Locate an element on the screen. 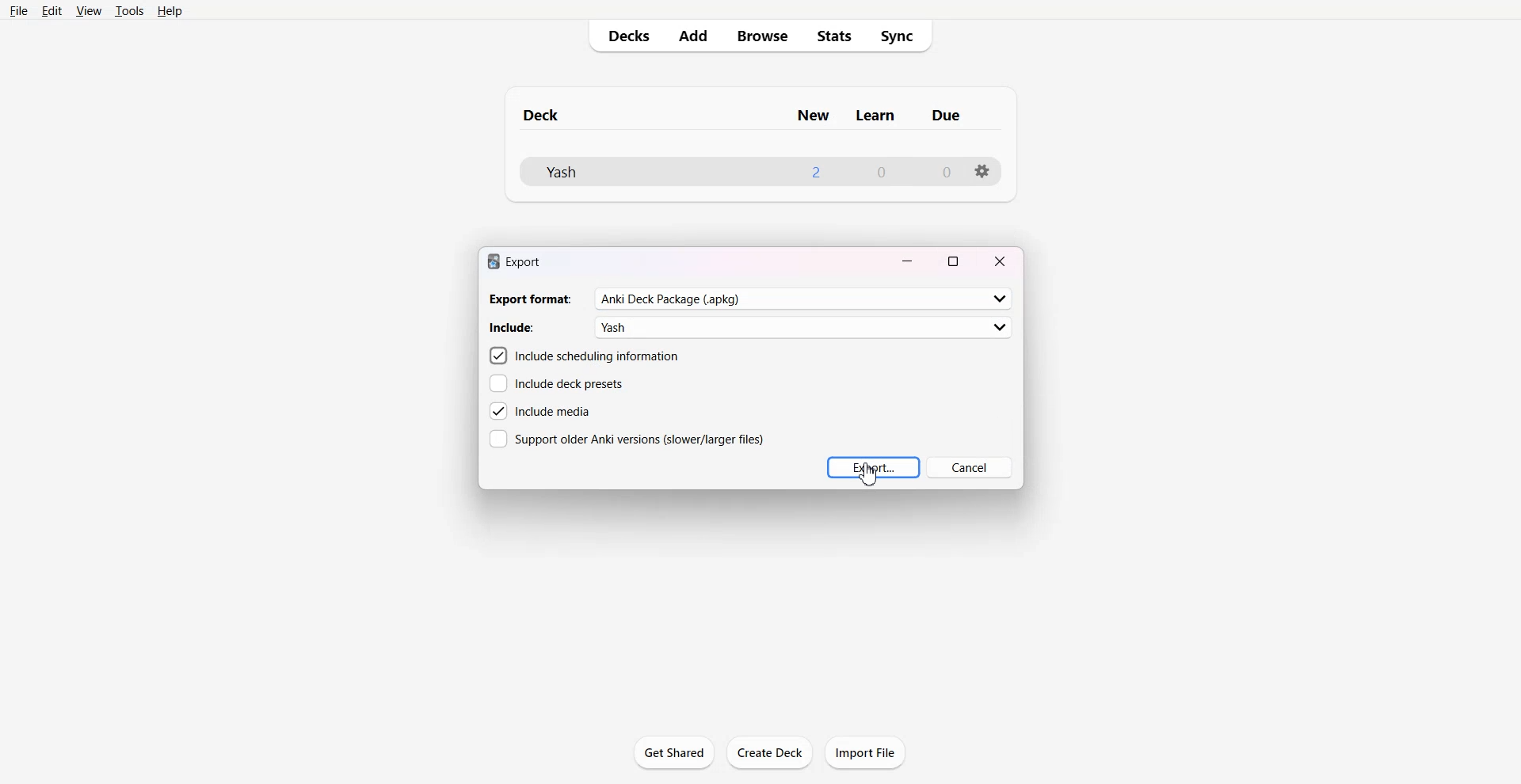 This screenshot has height=784, width=1521. Cursor is located at coordinates (868, 475).